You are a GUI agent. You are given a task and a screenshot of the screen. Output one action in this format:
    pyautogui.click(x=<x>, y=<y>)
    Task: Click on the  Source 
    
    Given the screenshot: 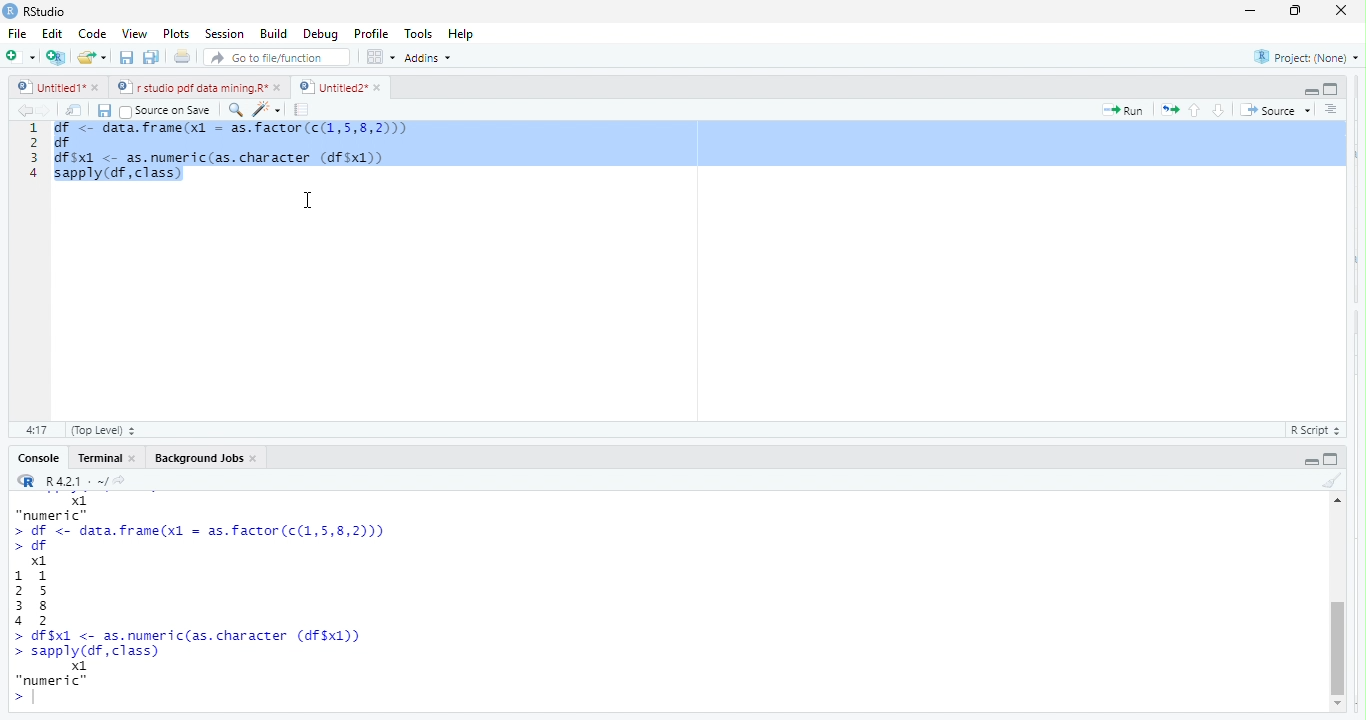 What is the action you would take?
    pyautogui.click(x=1278, y=112)
    